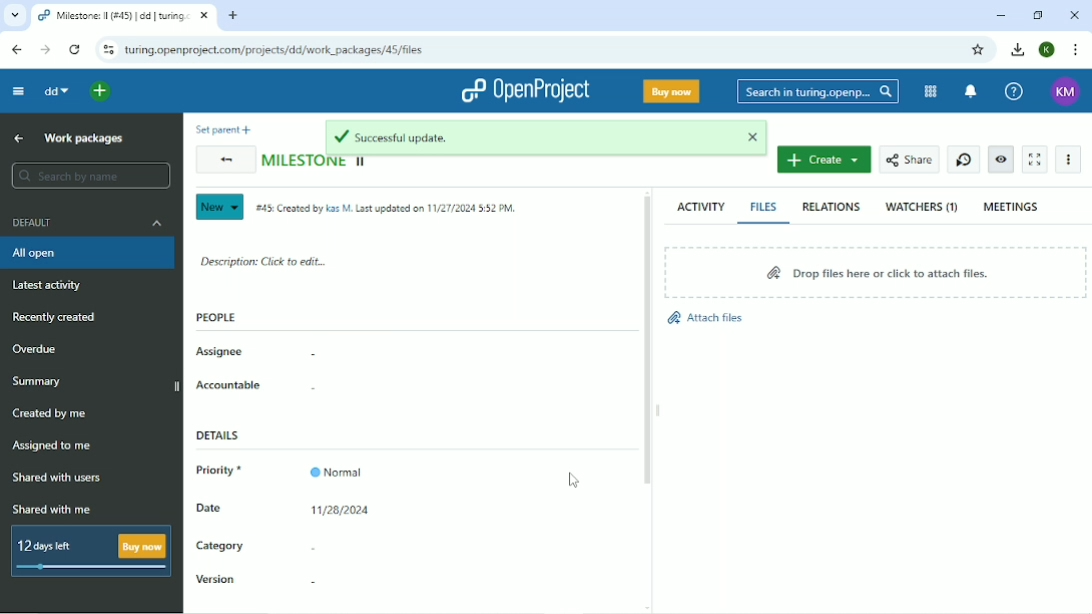 The image size is (1092, 614). I want to click on Close, so click(1075, 14).